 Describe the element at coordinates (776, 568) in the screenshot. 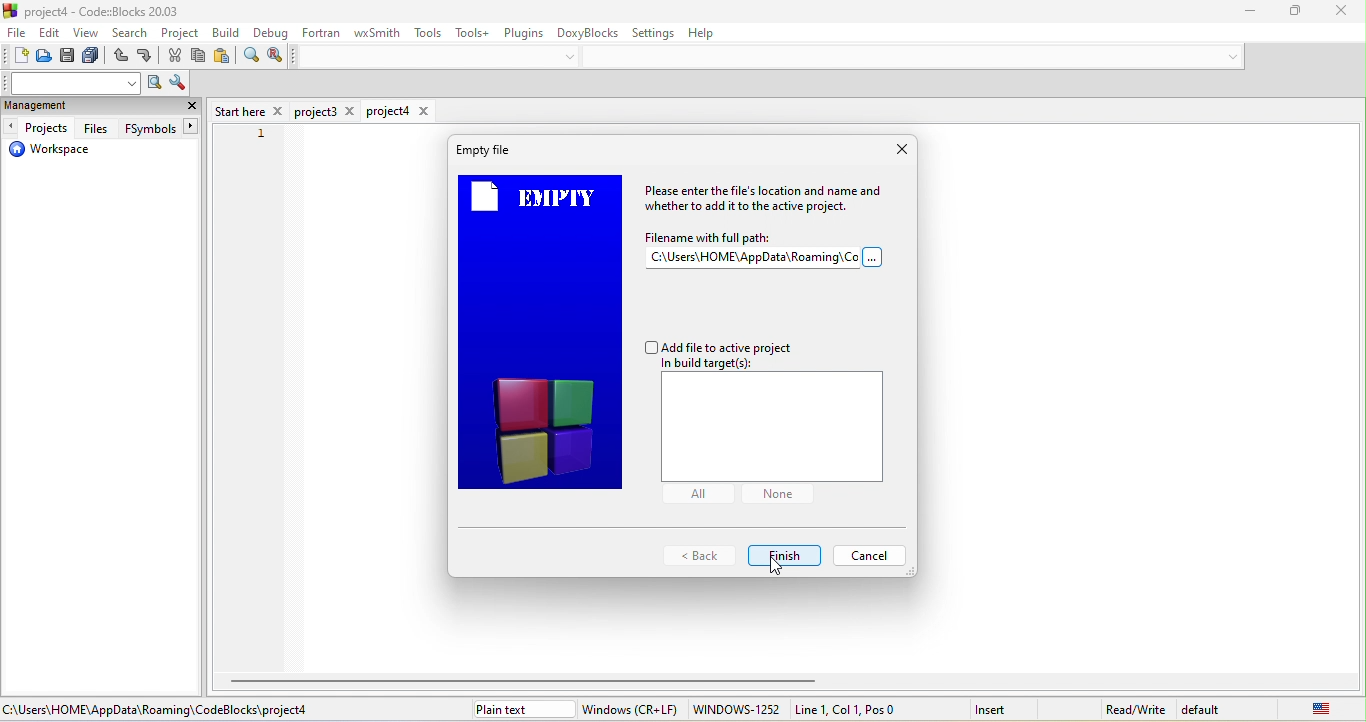

I see `cursor movement` at that location.